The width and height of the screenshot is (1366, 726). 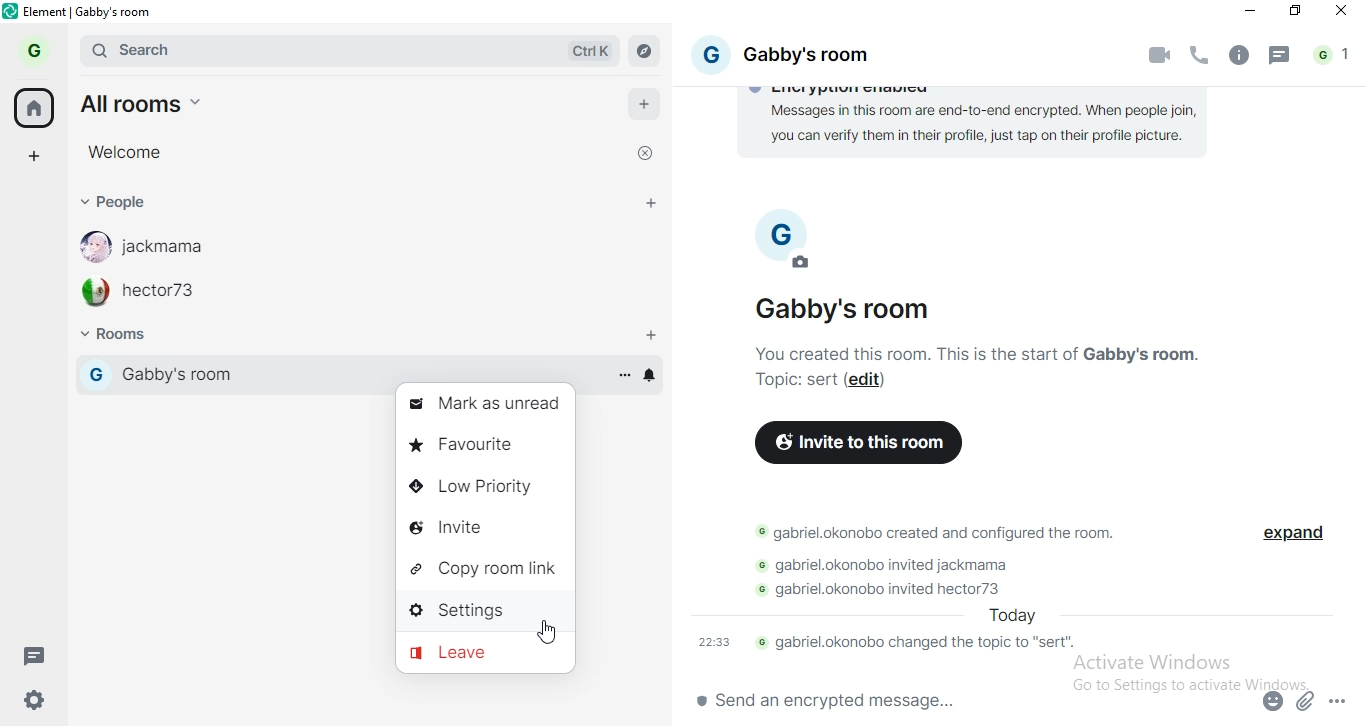 What do you see at coordinates (644, 52) in the screenshot?
I see `navigate` at bounding box center [644, 52].